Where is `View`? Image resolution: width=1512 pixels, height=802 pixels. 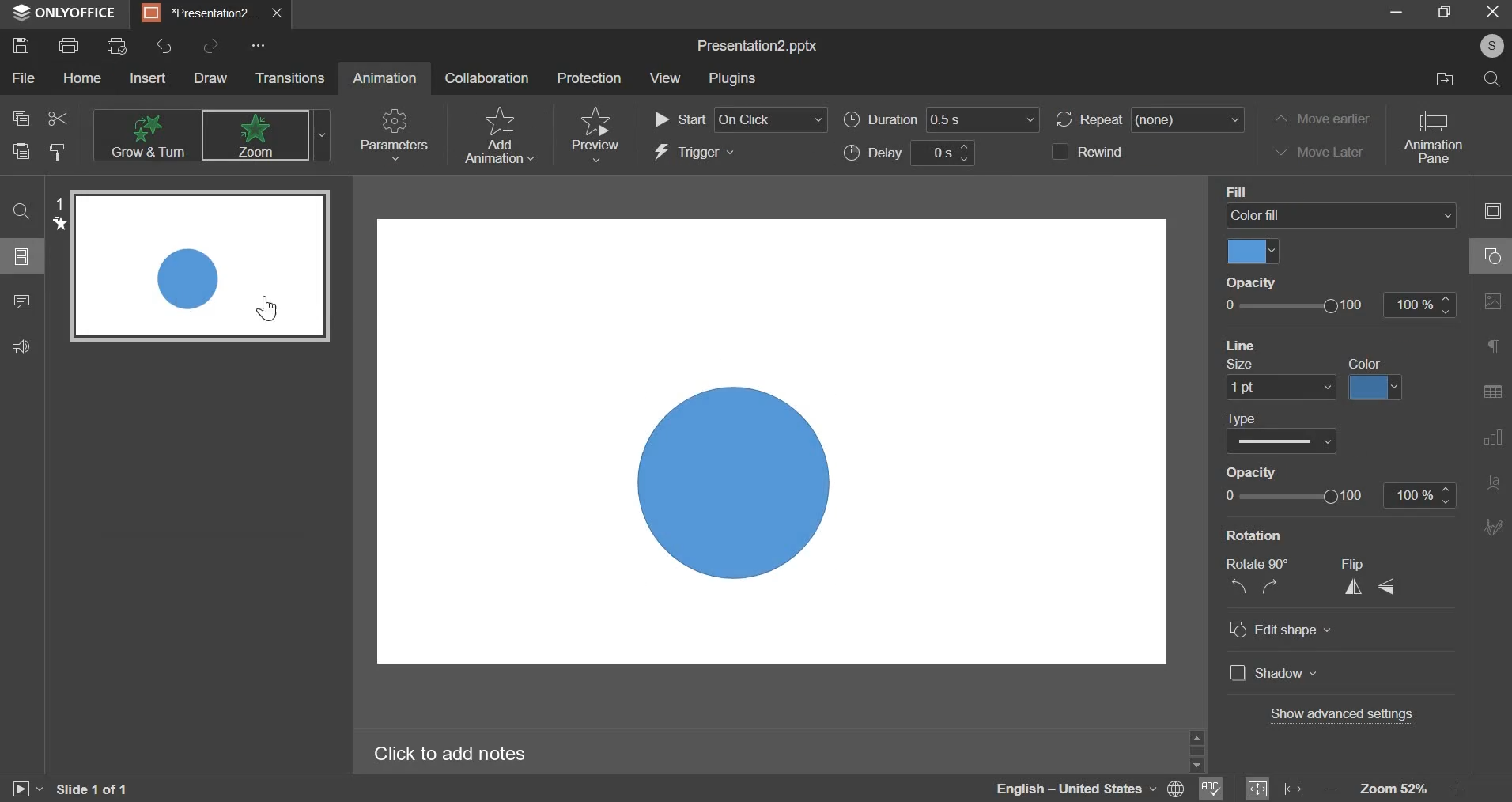 View is located at coordinates (667, 81).